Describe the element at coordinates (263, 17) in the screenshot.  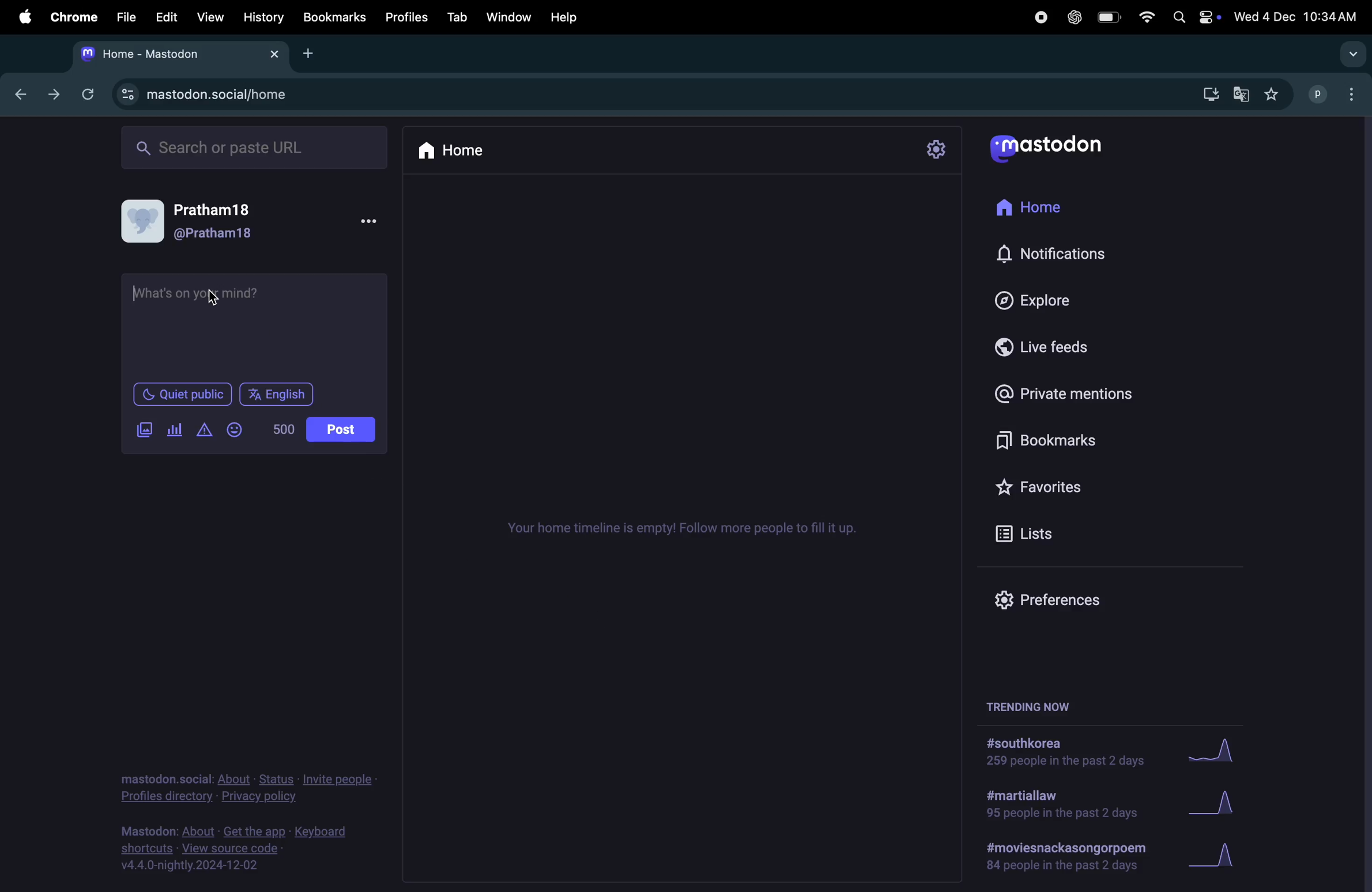
I see `History` at that location.